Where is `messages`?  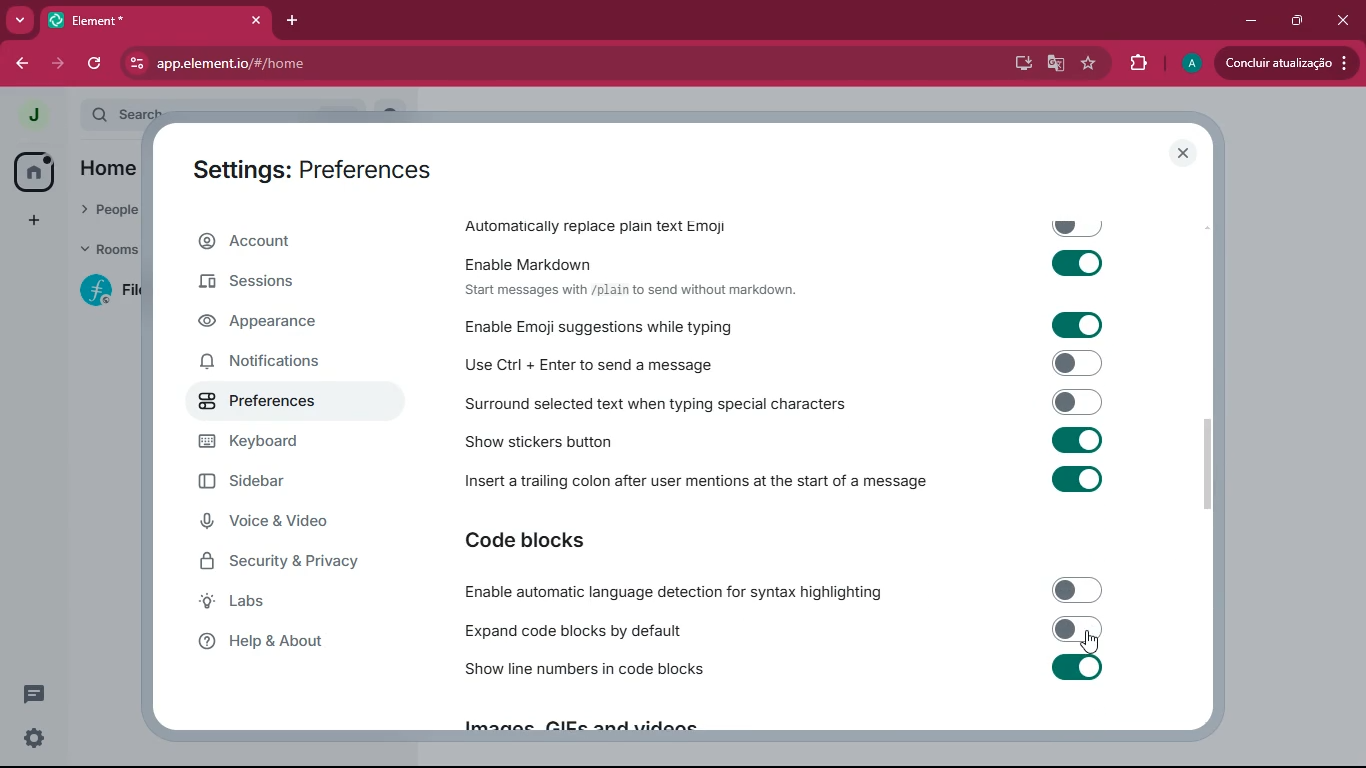
messages is located at coordinates (38, 694).